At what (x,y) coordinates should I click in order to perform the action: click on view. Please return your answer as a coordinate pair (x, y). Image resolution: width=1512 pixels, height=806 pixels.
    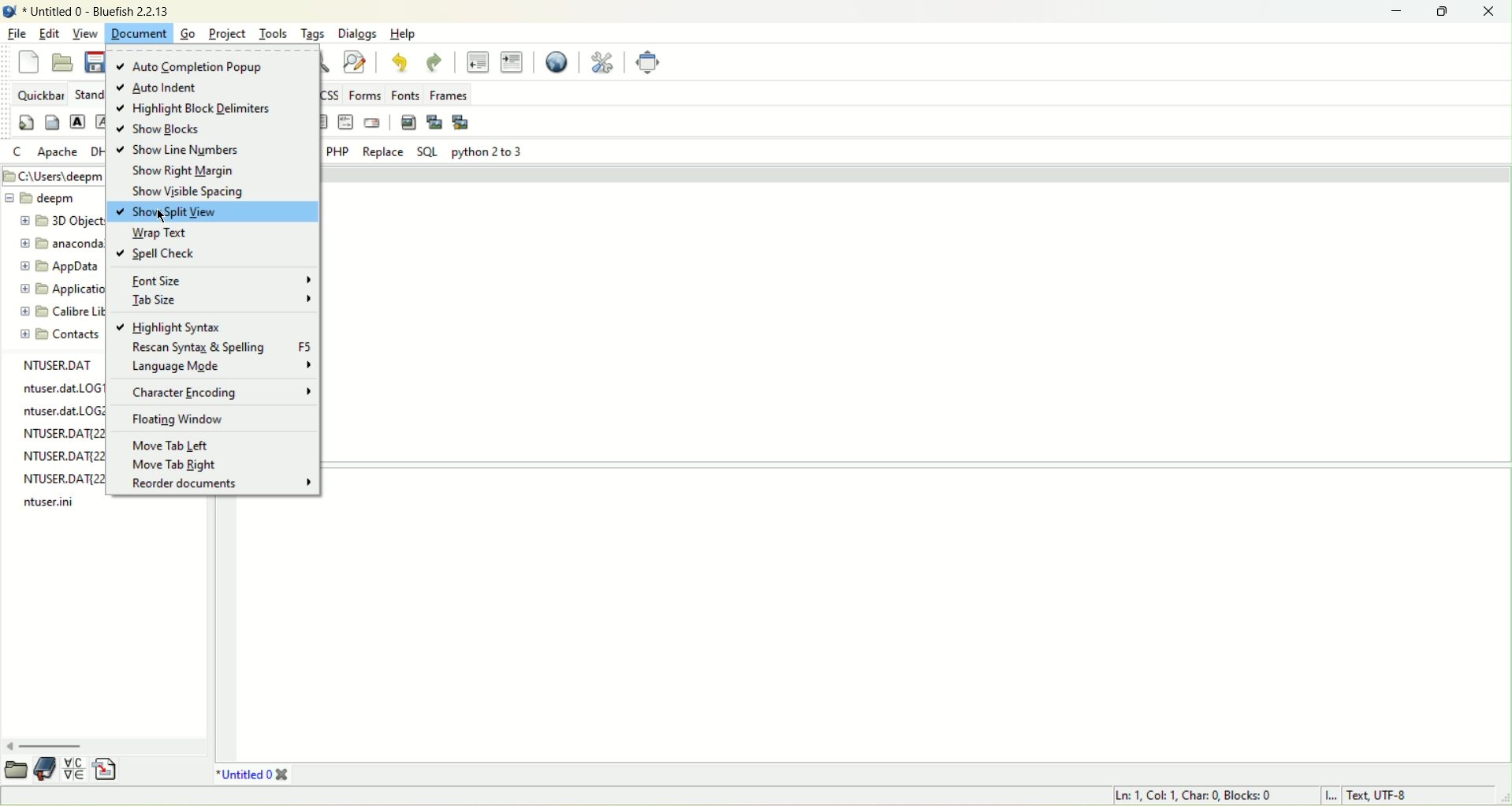
    Looking at the image, I should click on (88, 32).